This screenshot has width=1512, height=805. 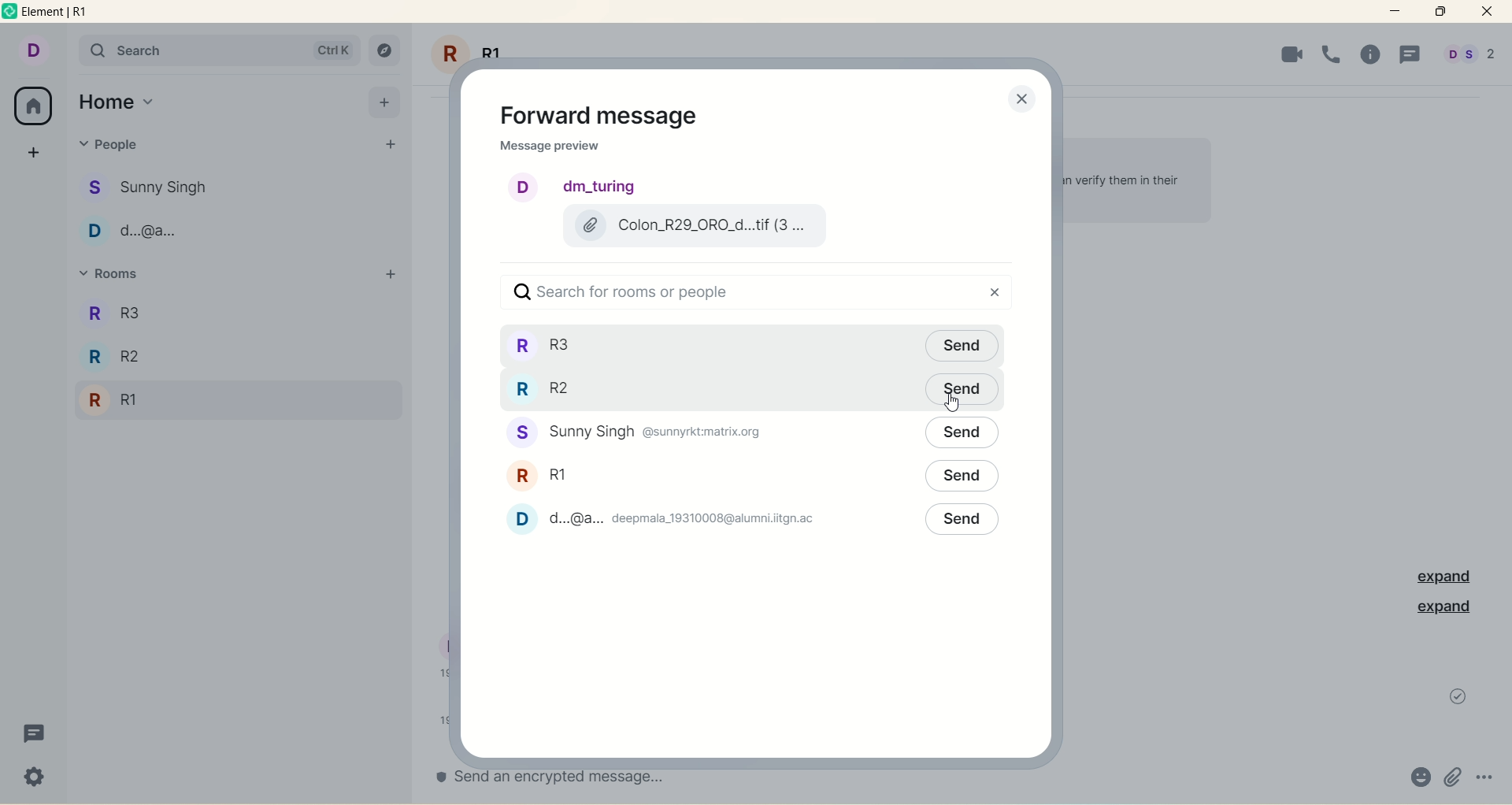 What do you see at coordinates (386, 52) in the screenshot?
I see `explore rooms` at bounding box center [386, 52].